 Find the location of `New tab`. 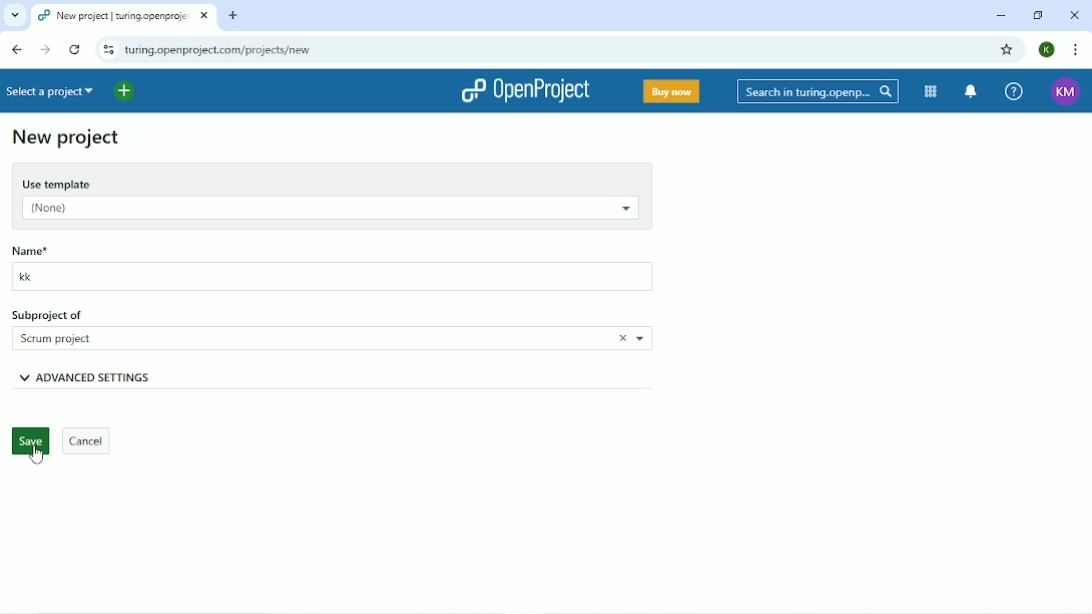

New tab is located at coordinates (234, 15).